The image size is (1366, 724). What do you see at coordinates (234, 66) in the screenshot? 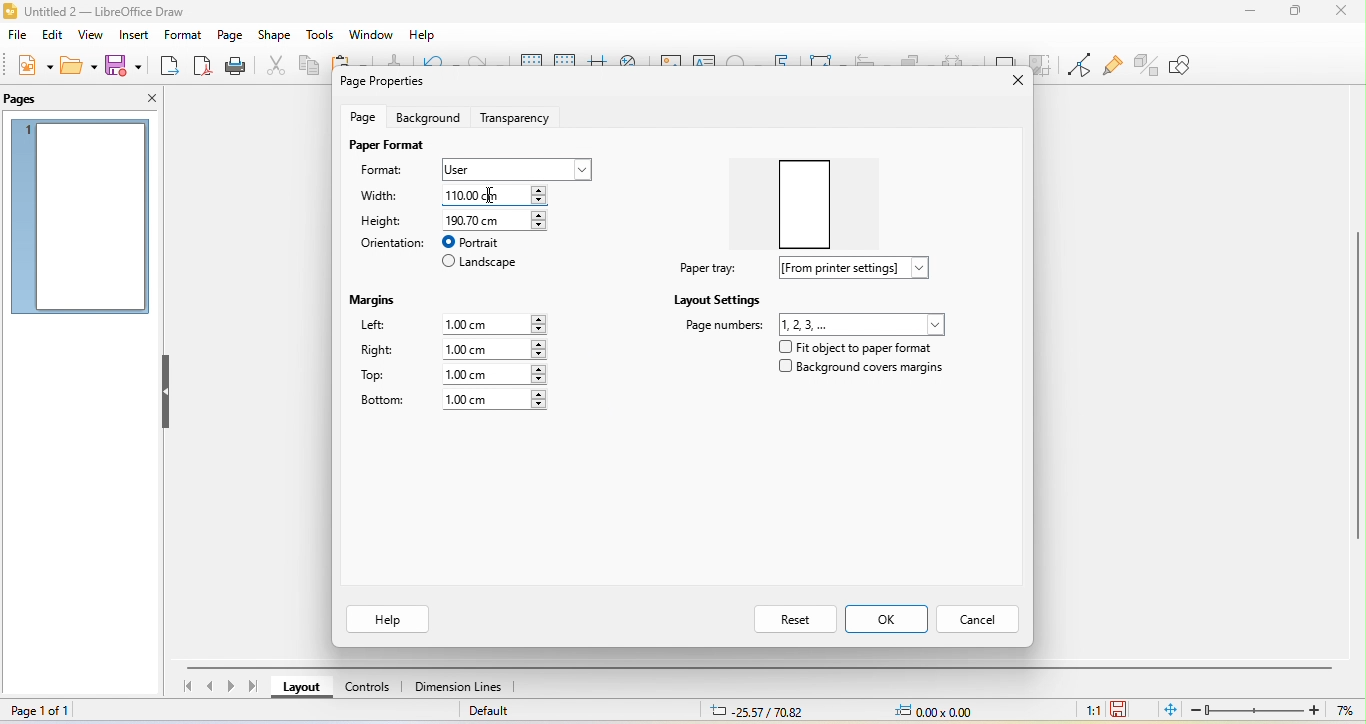
I see `print` at bounding box center [234, 66].